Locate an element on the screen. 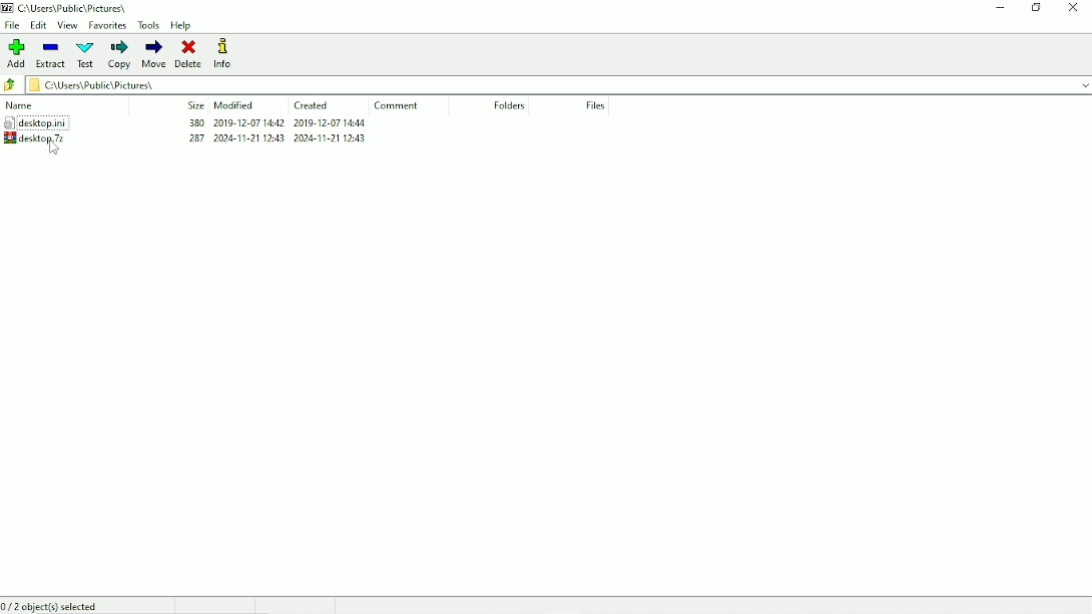  Info is located at coordinates (222, 53).